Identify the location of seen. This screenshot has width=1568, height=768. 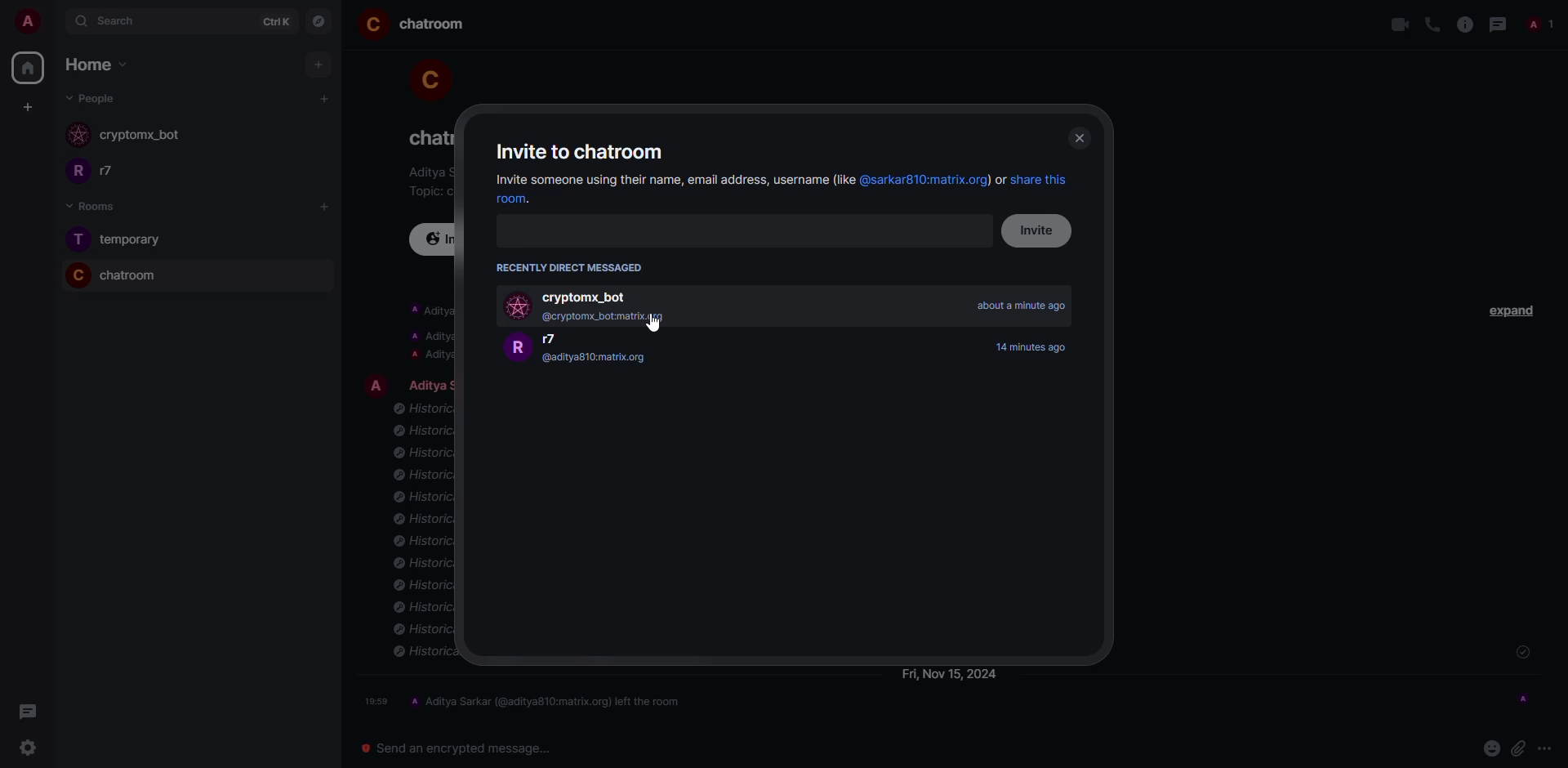
(1523, 697).